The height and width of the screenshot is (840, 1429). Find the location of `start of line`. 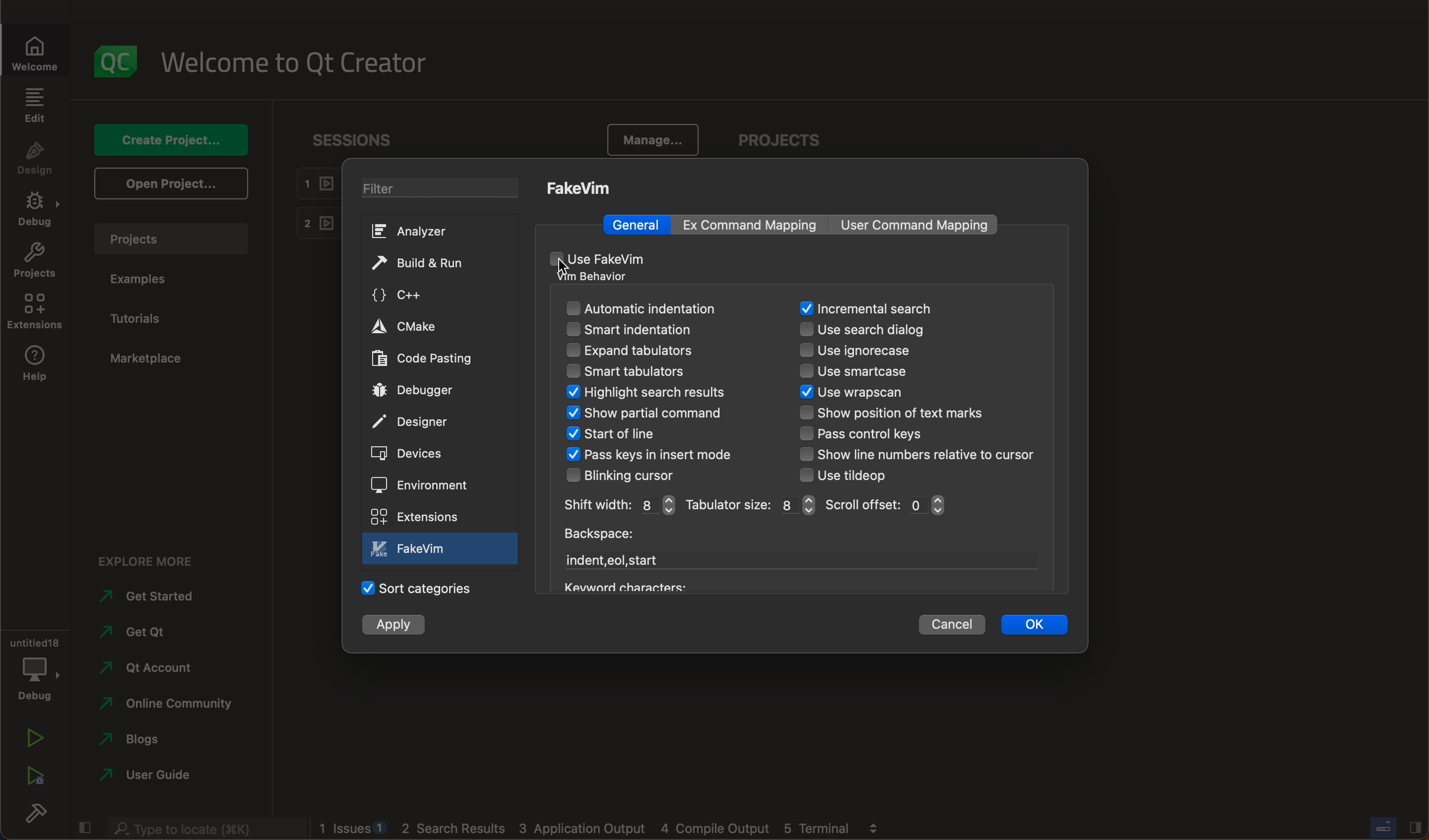

start of line is located at coordinates (618, 434).